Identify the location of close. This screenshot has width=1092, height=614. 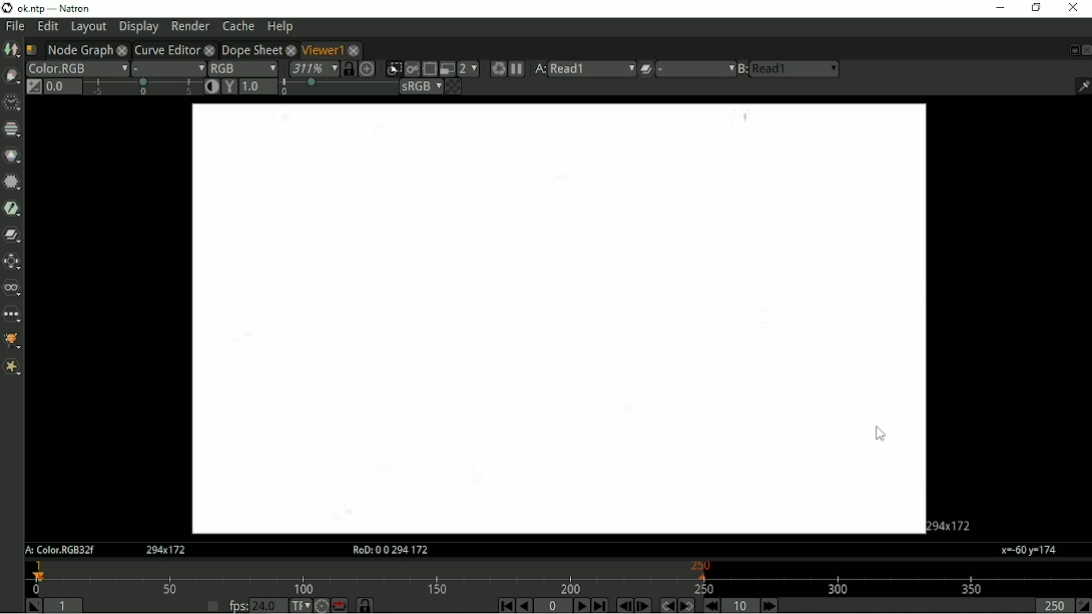
(291, 50).